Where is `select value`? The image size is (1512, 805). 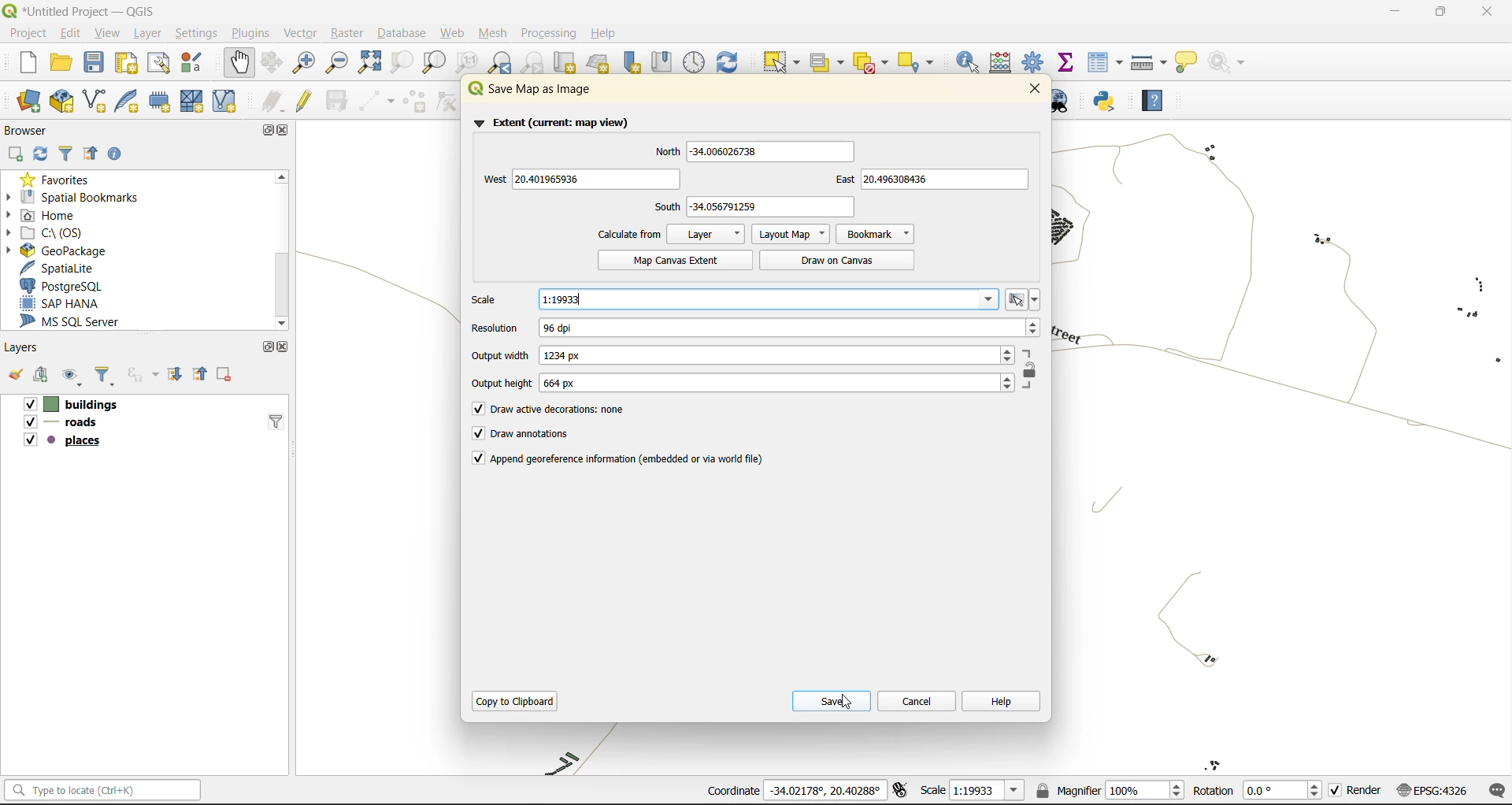 select value is located at coordinates (828, 59).